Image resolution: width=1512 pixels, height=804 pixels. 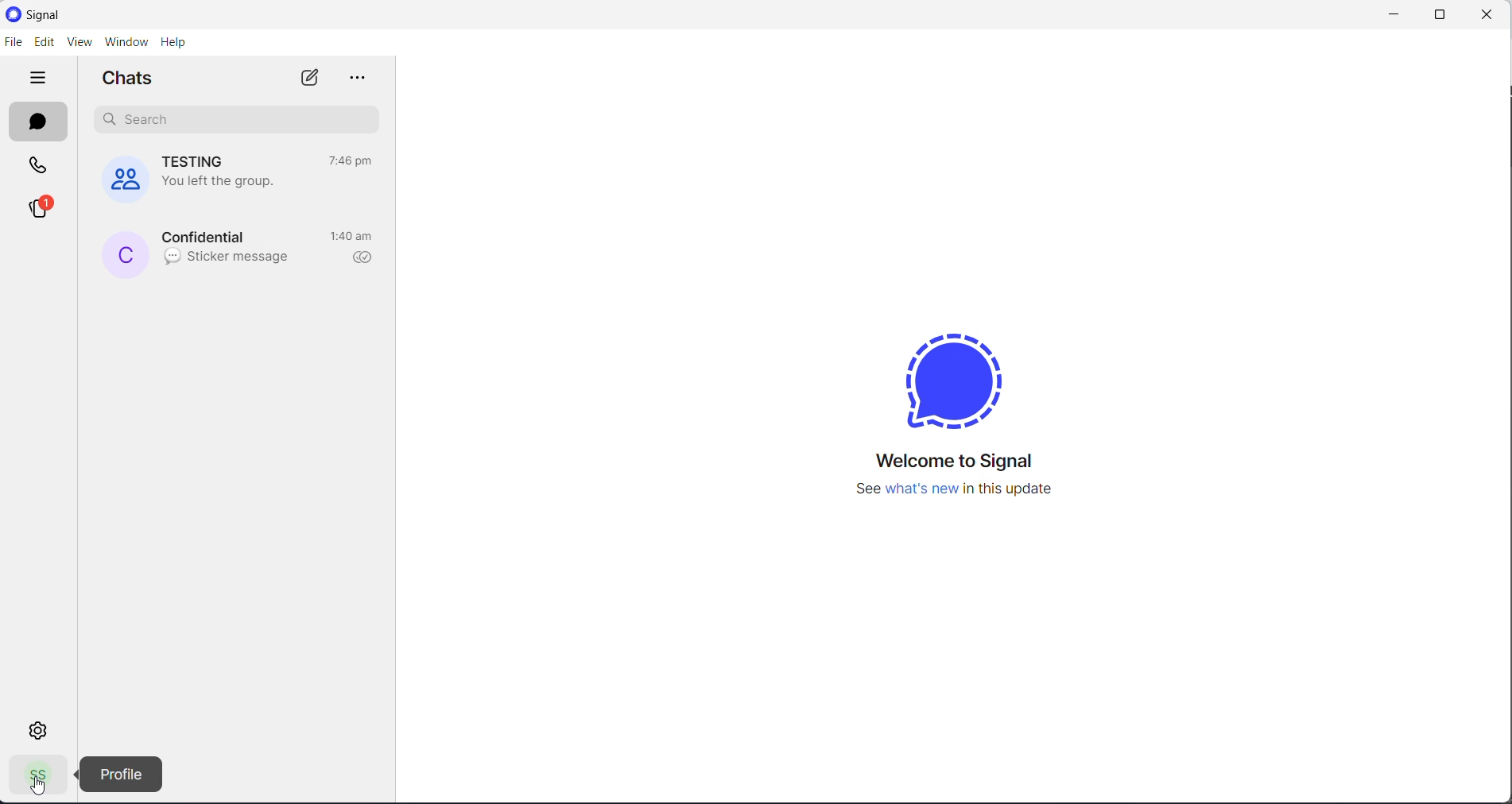 I want to click on more options, so click(x=355, y=79).